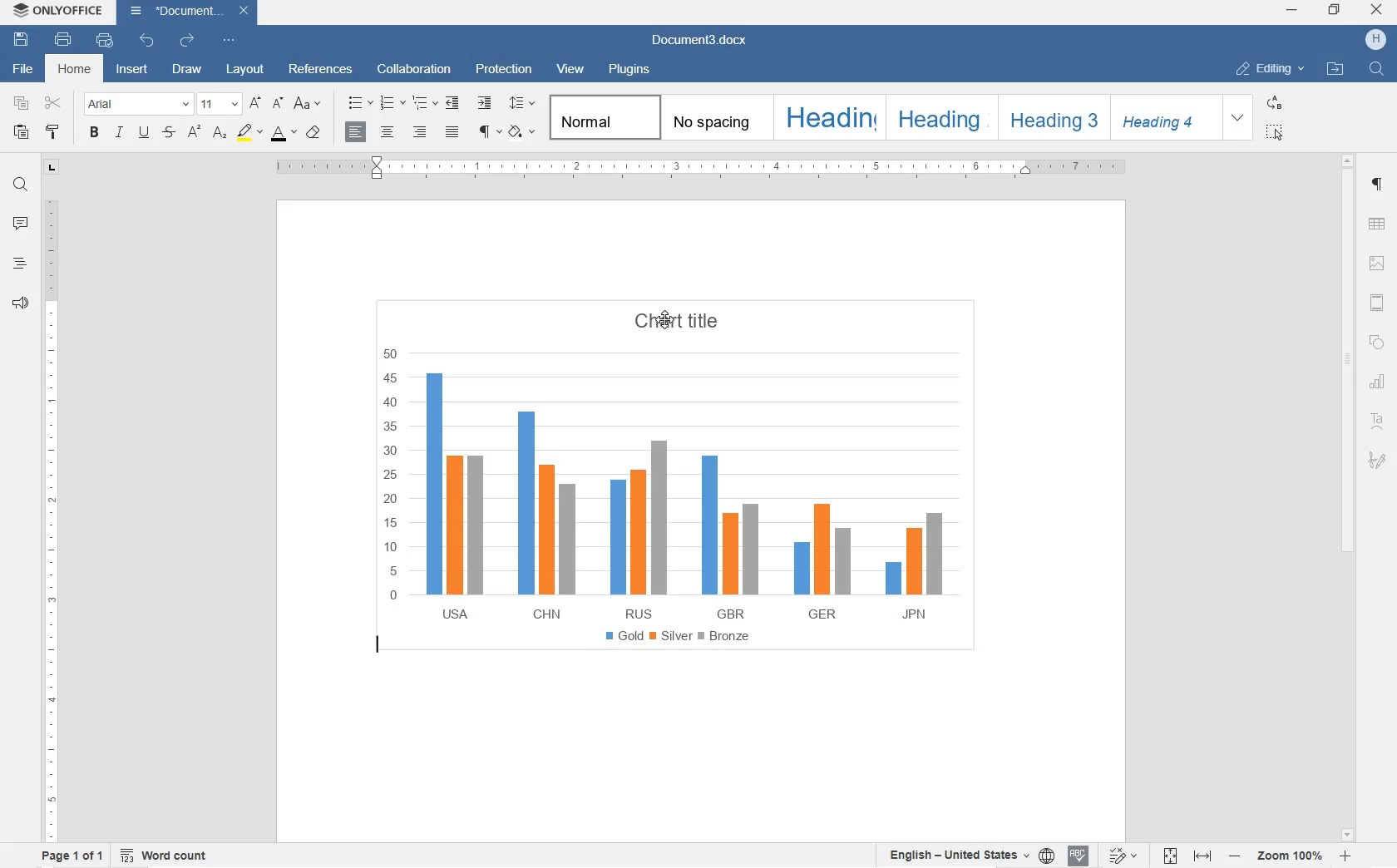 This screenshot has height=868, width=1397. I want to click on CHANGE CASE, so click(308, 103).